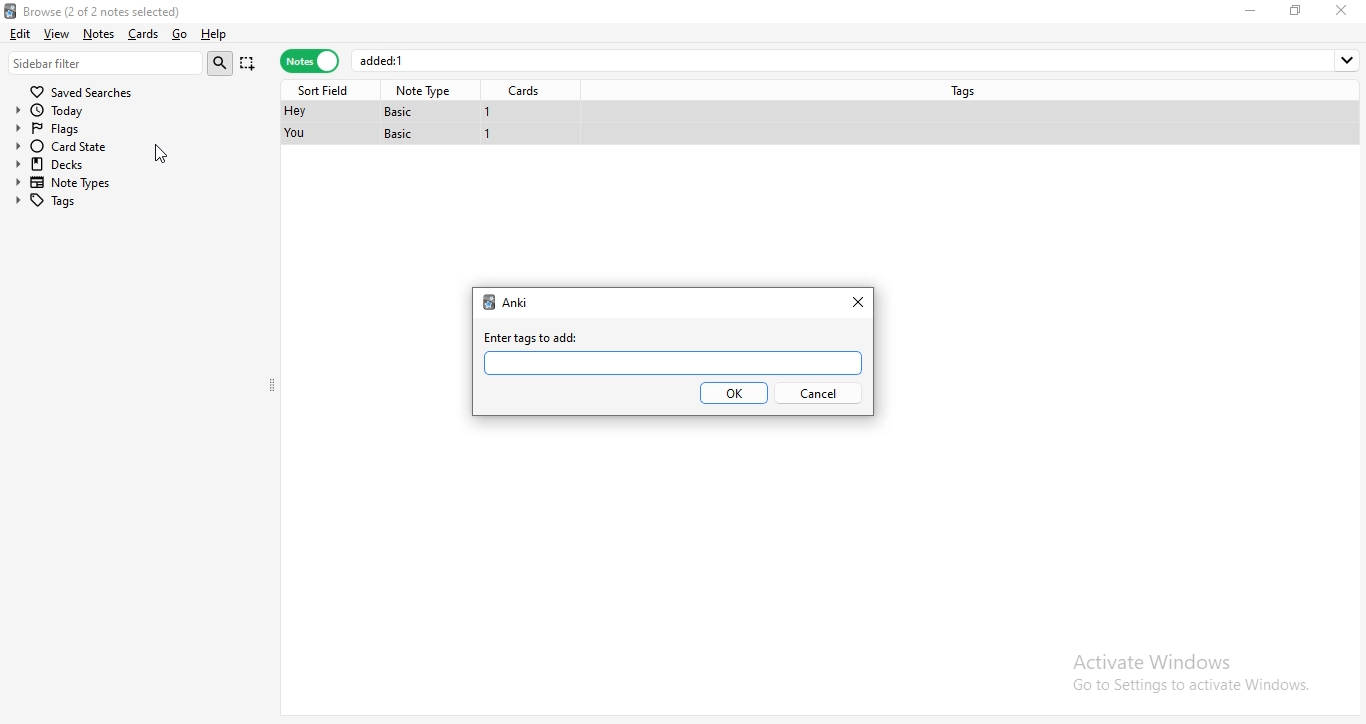 The image size is (1366, 724). What do you see at coordinates (249, 65) in the screenshot?
I see `append` at bounding box center [249, 65].